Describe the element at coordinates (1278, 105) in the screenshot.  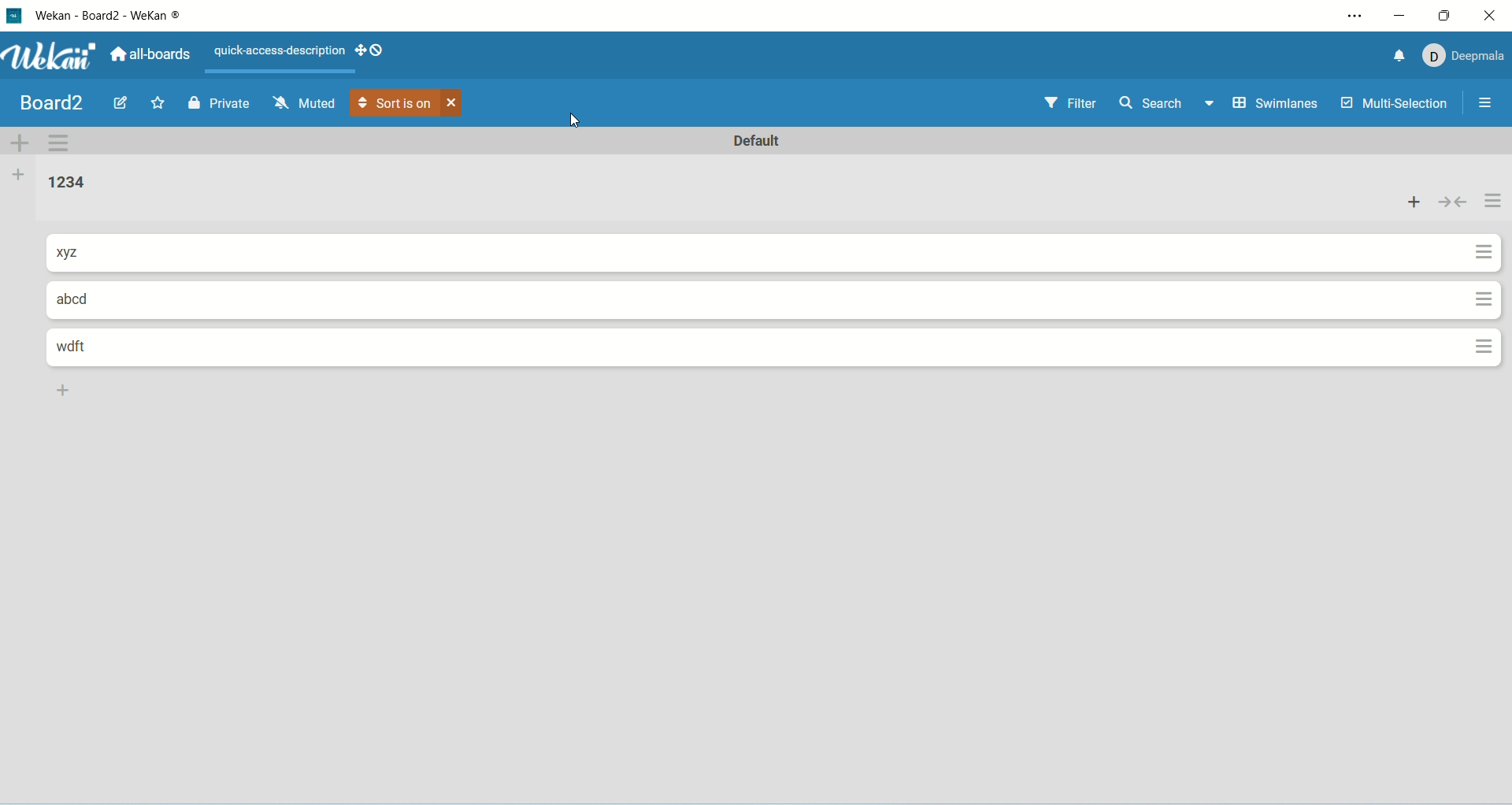
I see `swimlanes` at that location.